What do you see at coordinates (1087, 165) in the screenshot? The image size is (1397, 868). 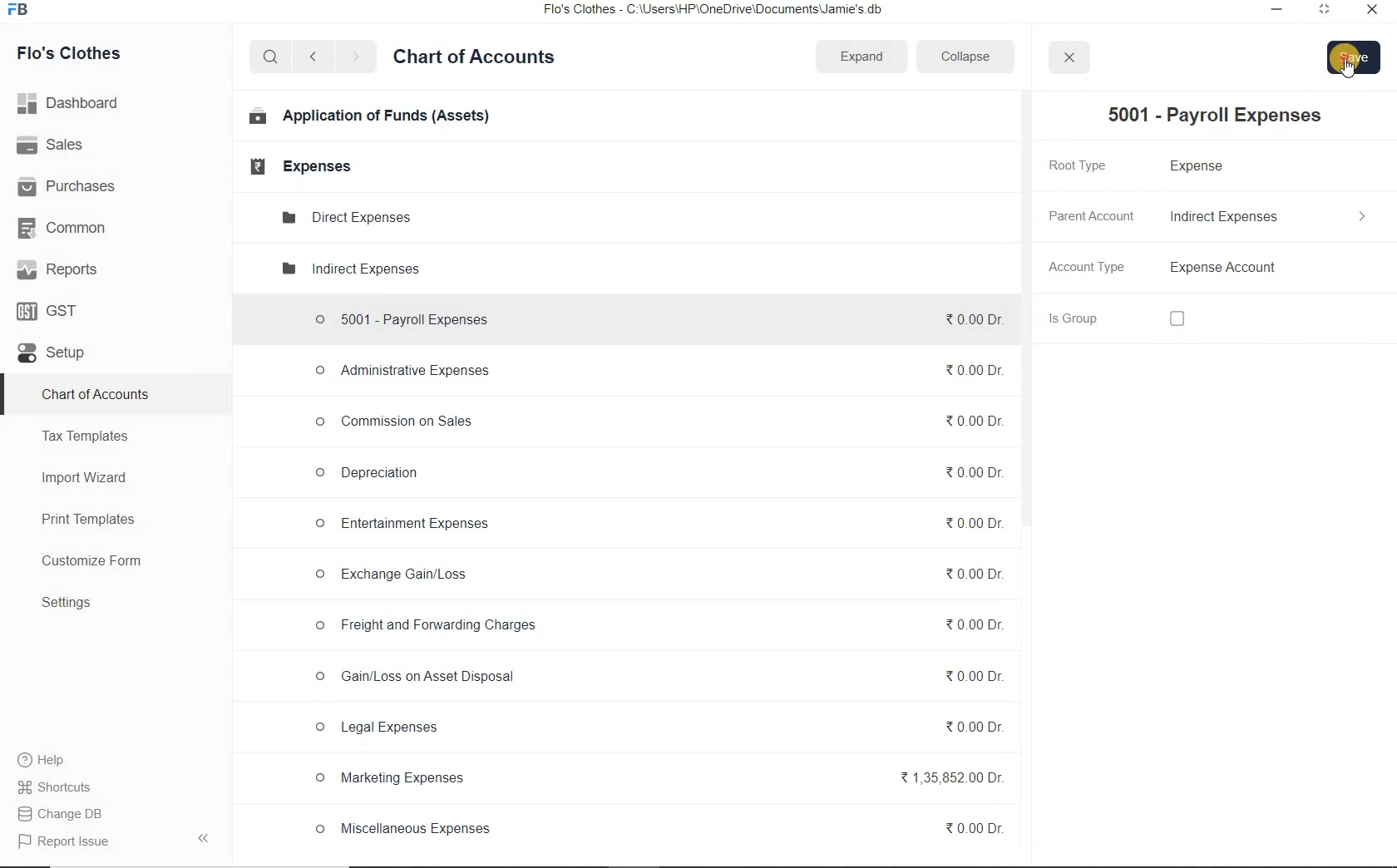 I see `Root Type` at bounding box center [1087, 165].